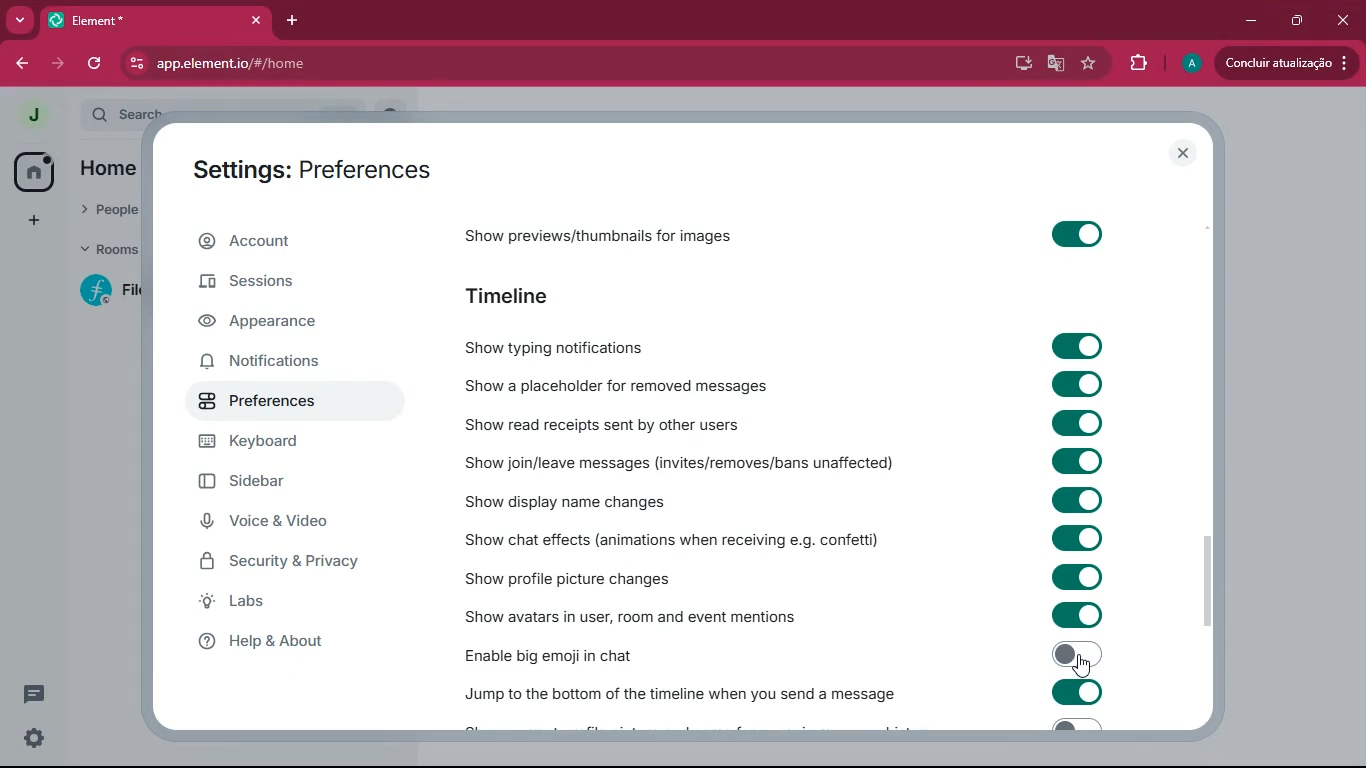 The height and width of the screenshot is (768, 1366). Describe the element at coordinates (1284, 62) in the screenshot. I see `concluir atualizacao` at that location.